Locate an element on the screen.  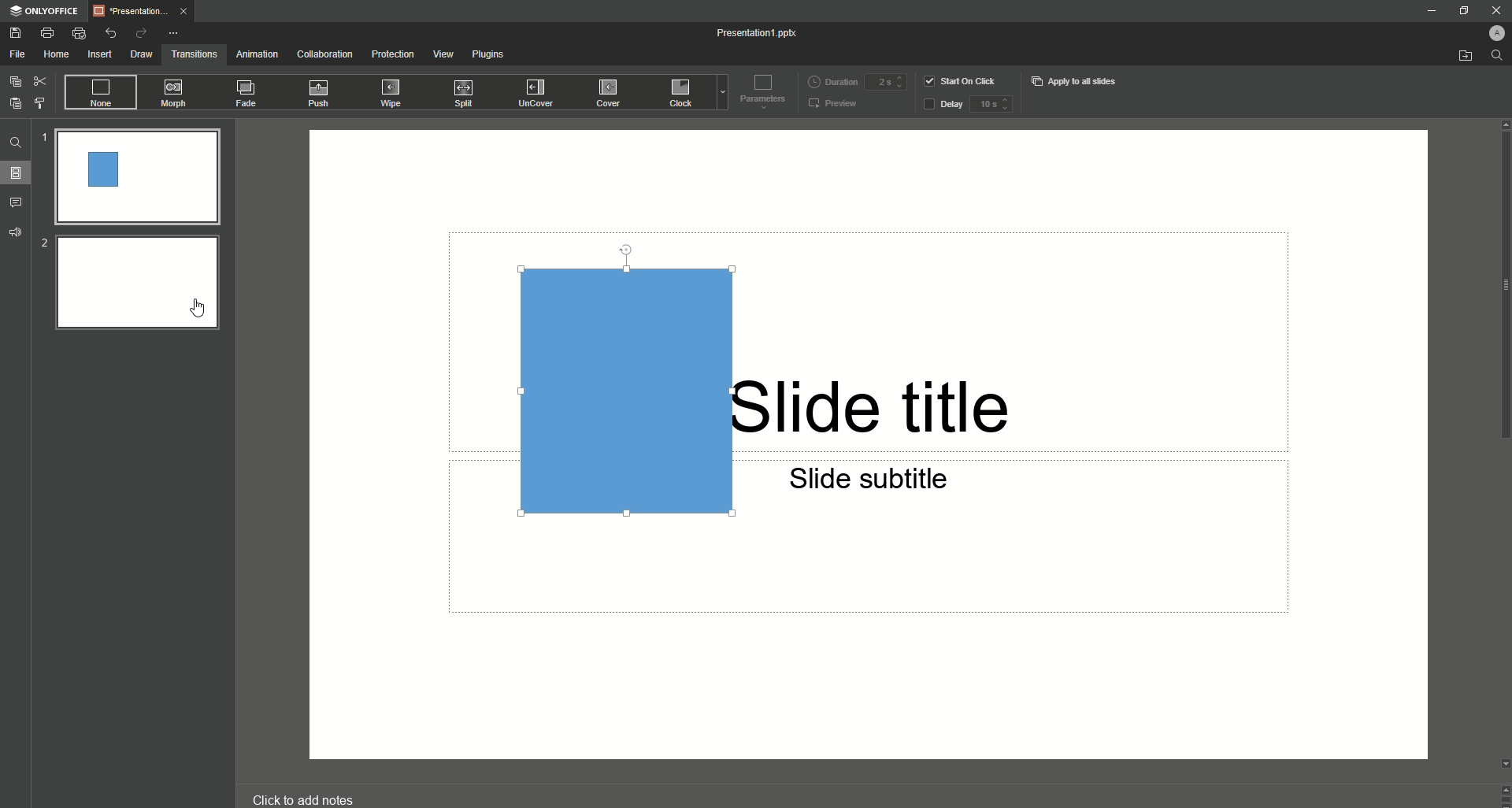
Undo is located at coordinates (111, 32).